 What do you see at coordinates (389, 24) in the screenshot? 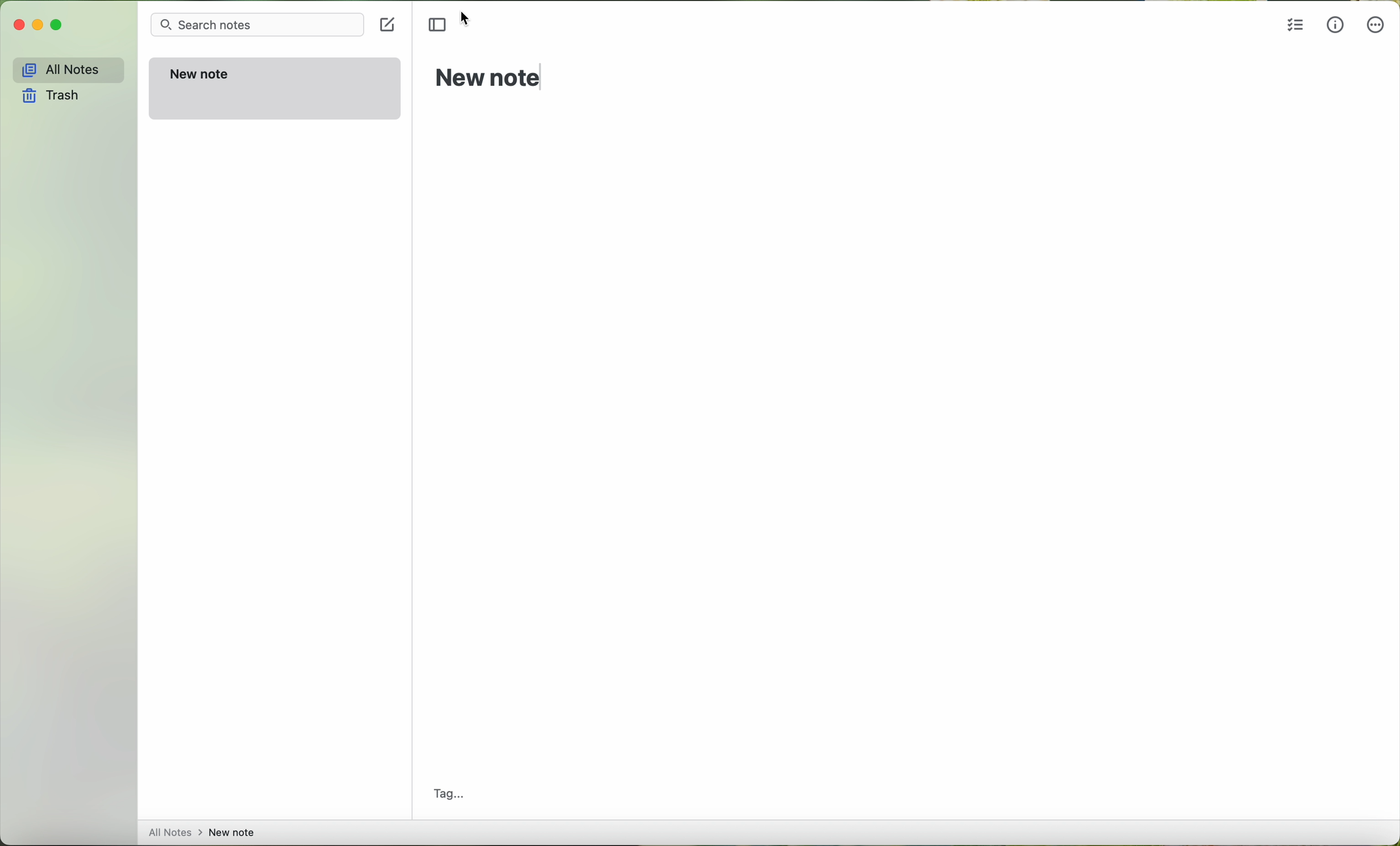
I see `new note` at bounding box center [389, 24].